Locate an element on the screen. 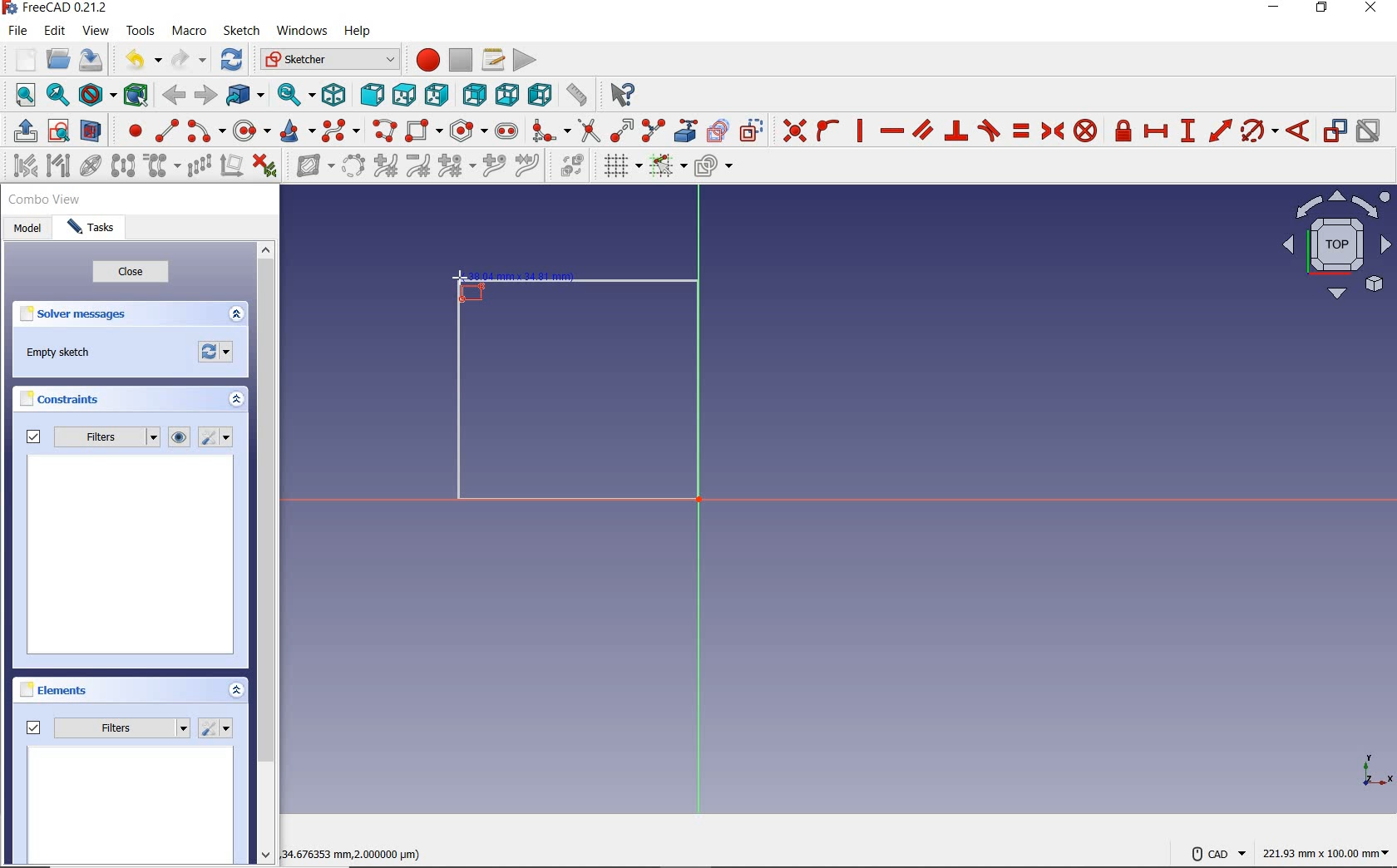  preview is located at coordinates (131, 806).